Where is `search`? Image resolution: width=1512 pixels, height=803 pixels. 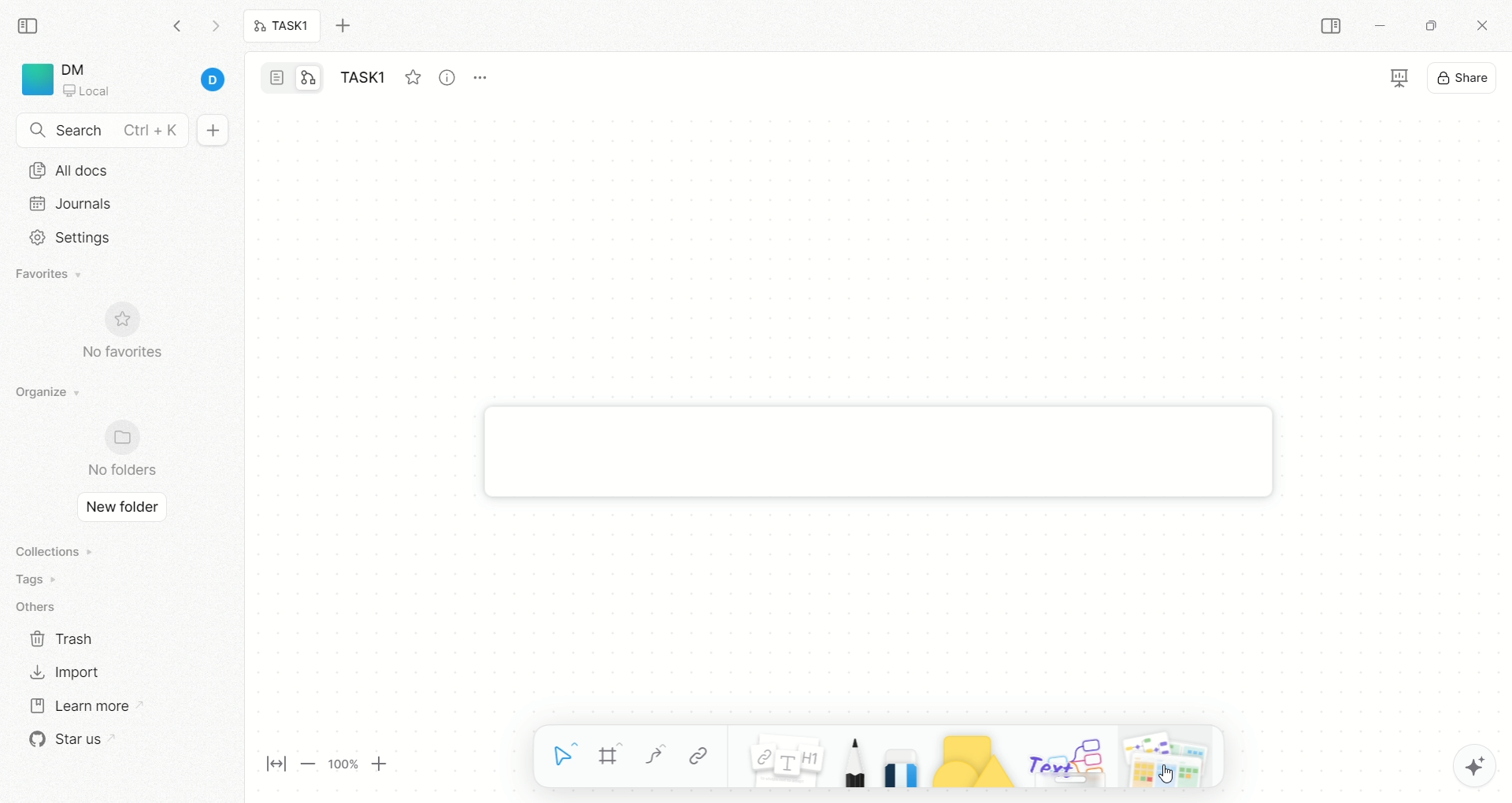
search is located at coordinates (102, 131).